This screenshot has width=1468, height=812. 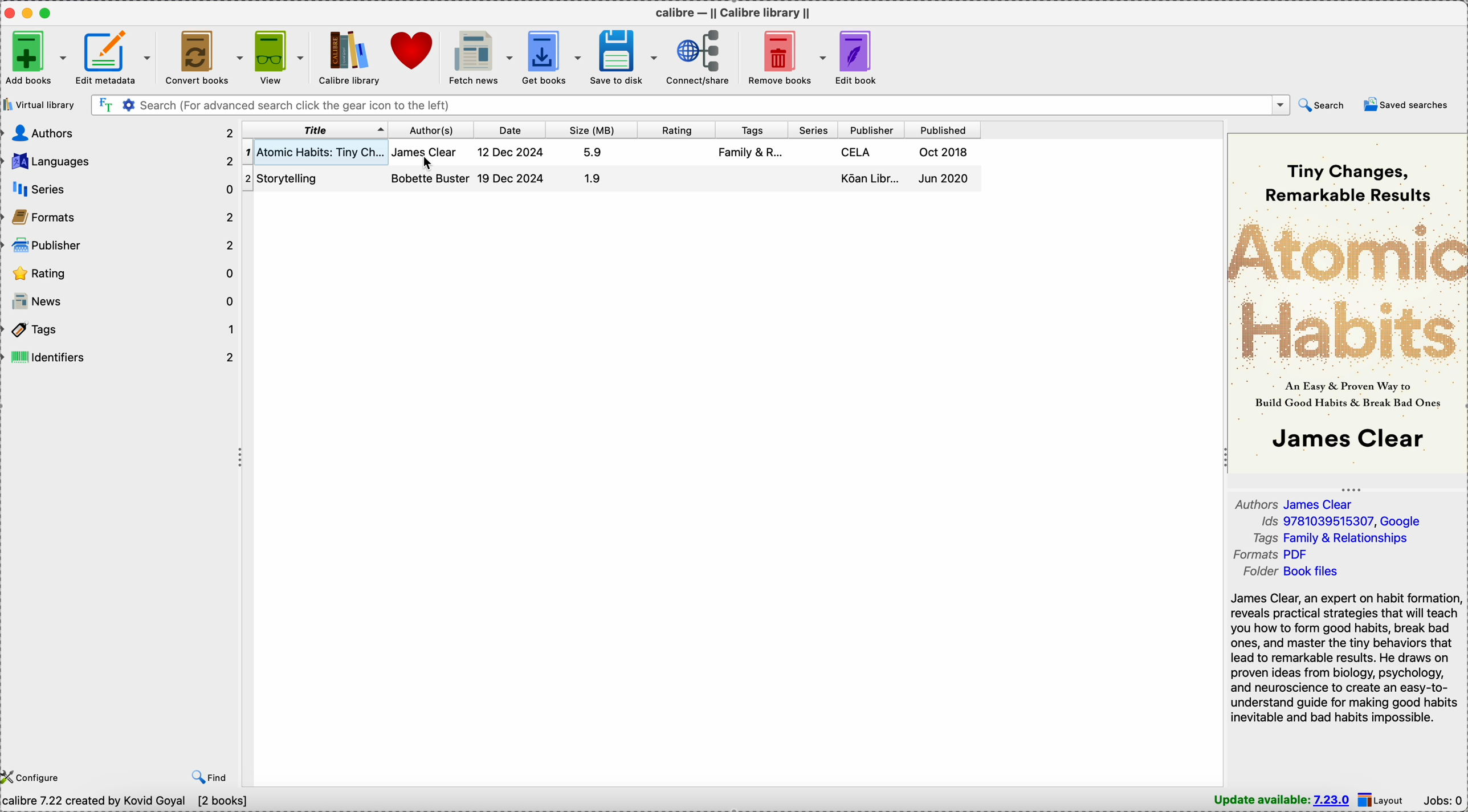 What do you see at coordinates (36, 57) in the screenshot?
I see `add books` at bounding box center [36, 57].